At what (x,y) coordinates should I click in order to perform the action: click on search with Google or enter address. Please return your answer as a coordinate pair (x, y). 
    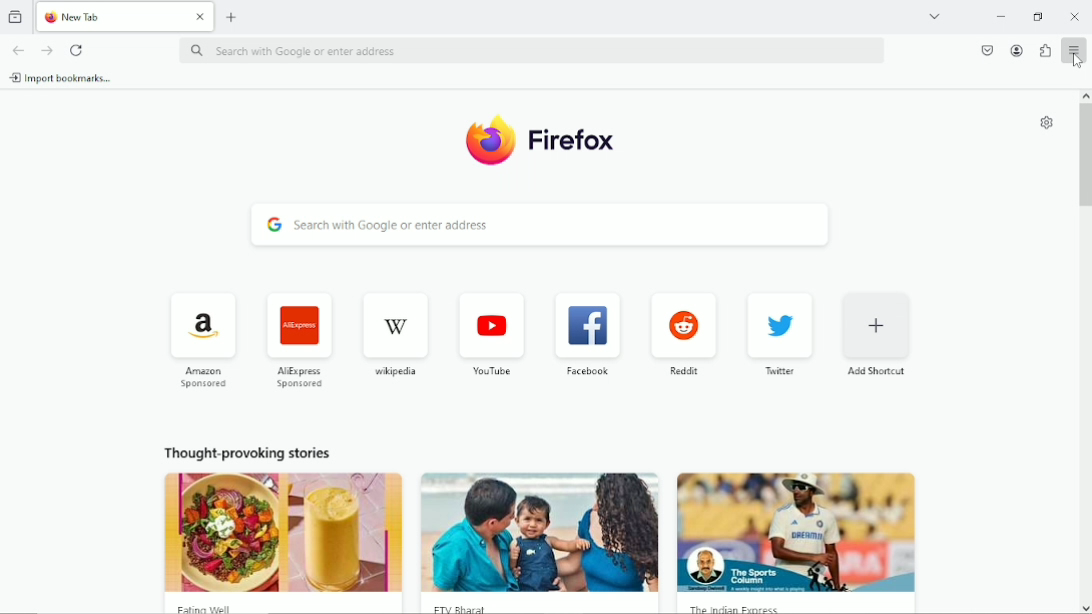
    Looking at the image, I should click on (532, 53).